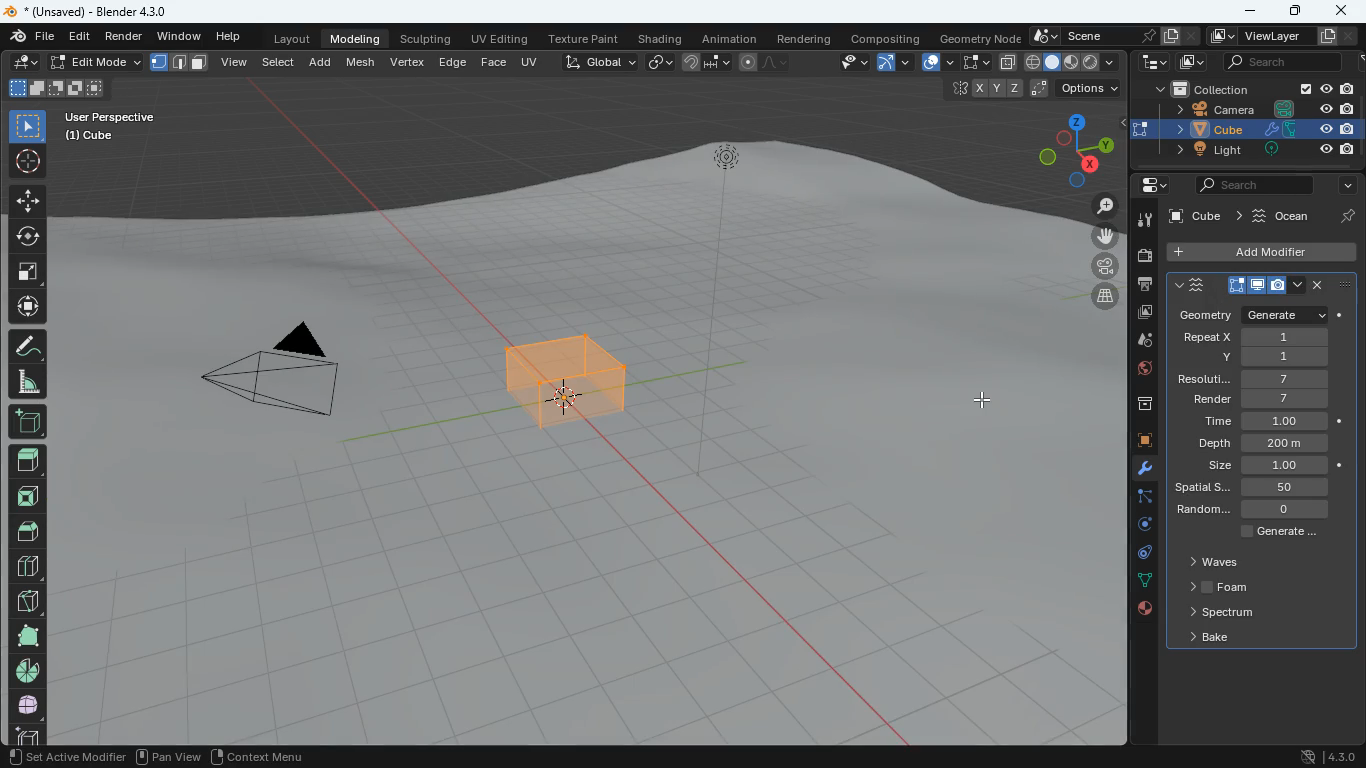 This screenshot has width=1366, height=768. Describe the element at coordinates (1282, 533) in the screenshot. I see `generate` at that location.